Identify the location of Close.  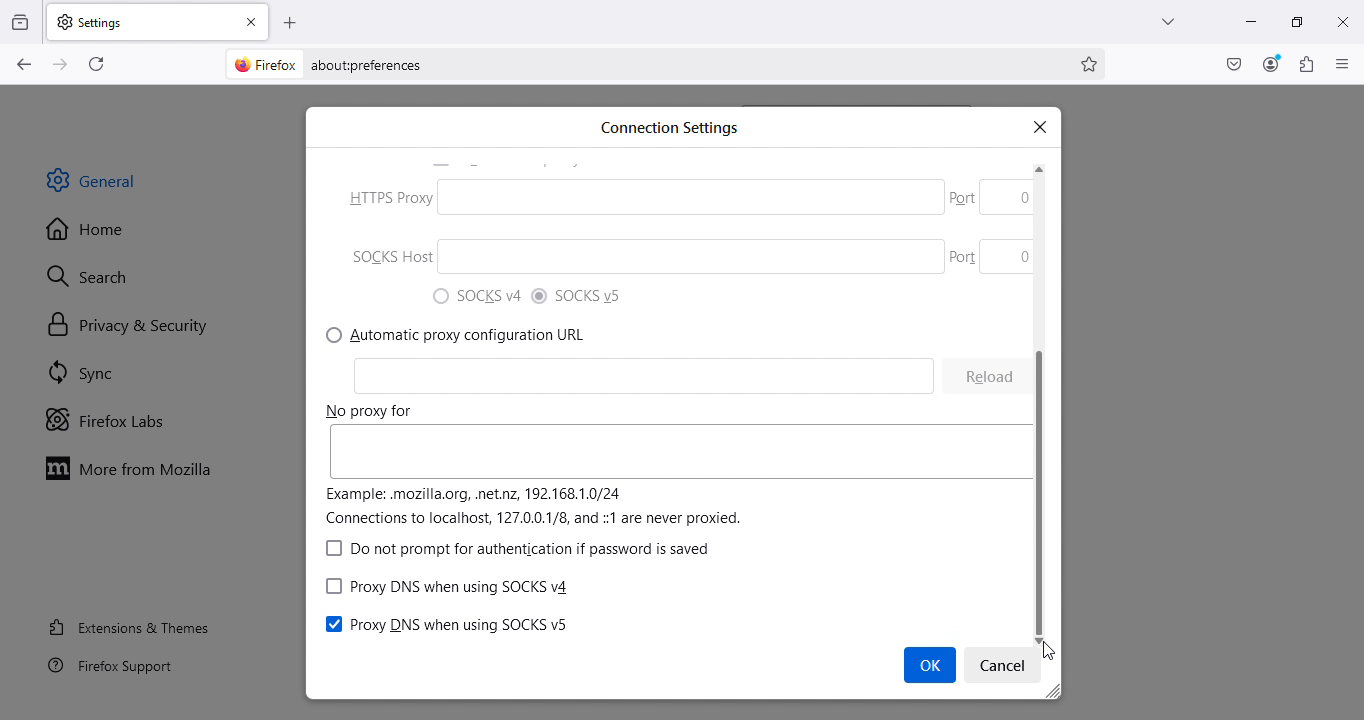
(1342, 21).